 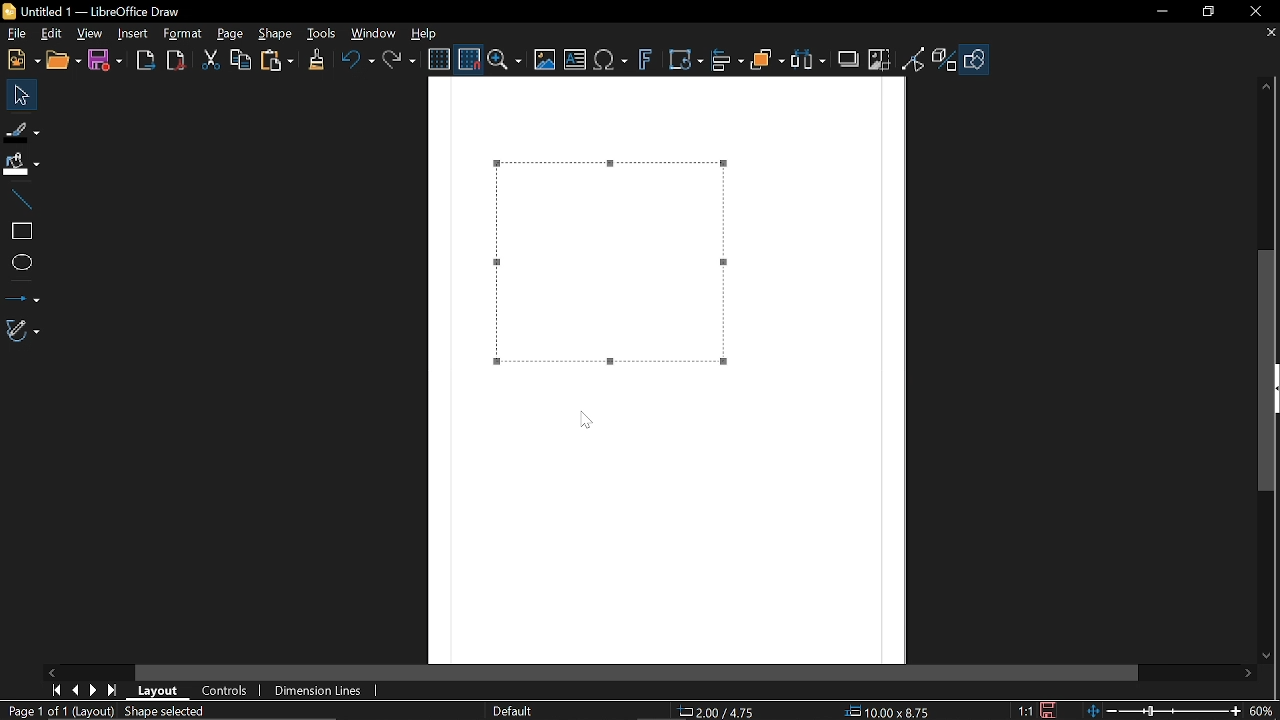 I want to click on Insert text, so click(x=612, y=61).